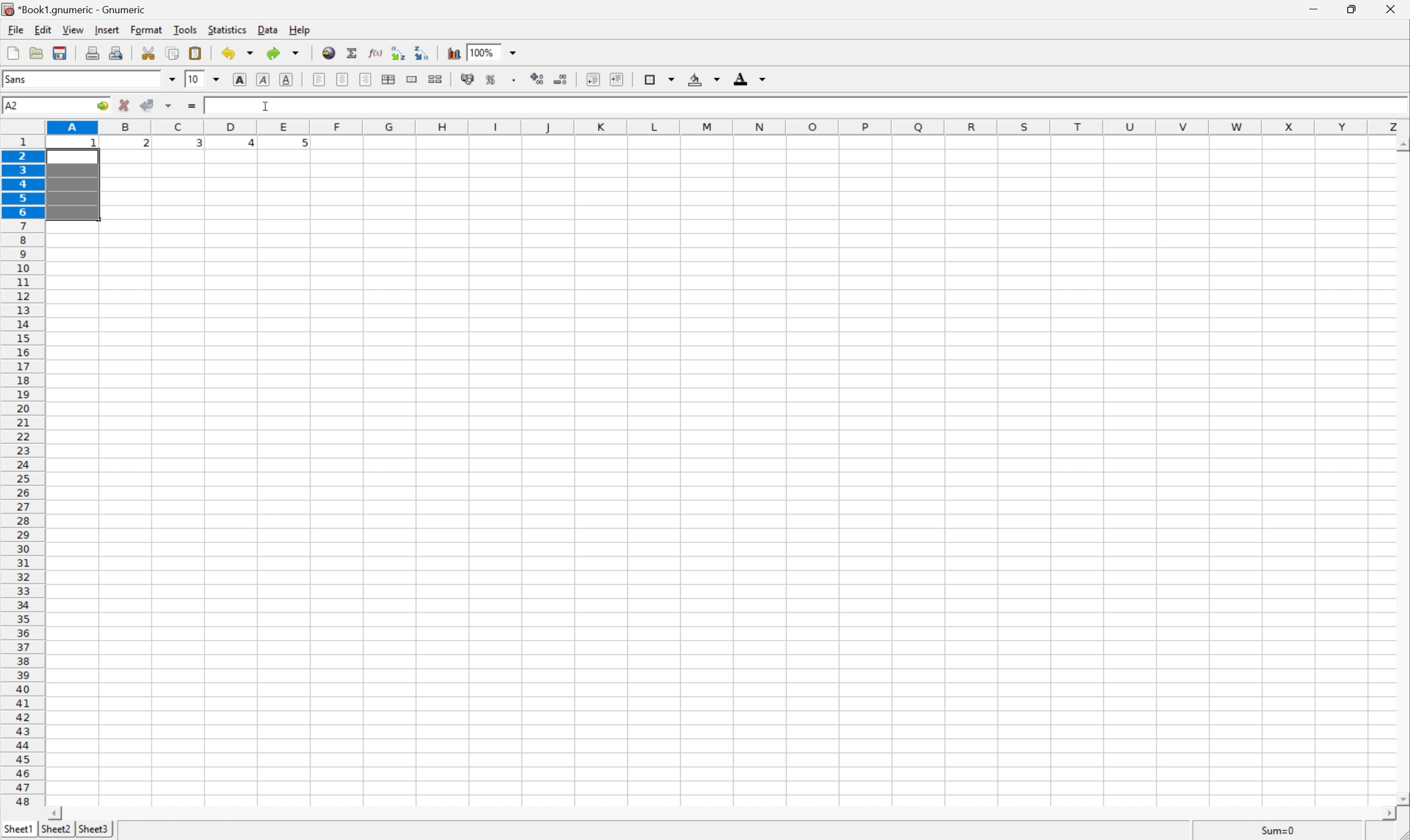 The width and height of the screenshot is (1410, 840). Describe the element at coordinates (660, 78) in the screenshot. I see `borders` at that location.